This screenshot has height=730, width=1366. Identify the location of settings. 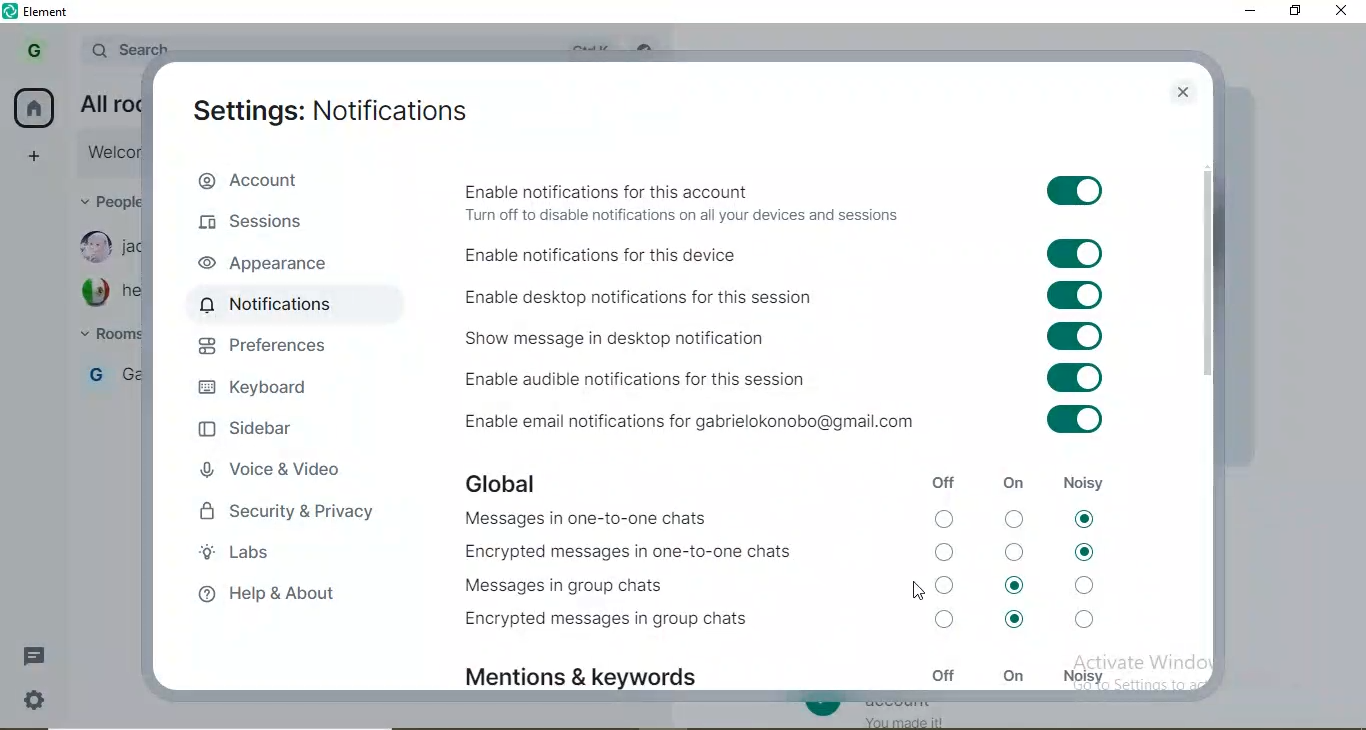
(333, 110).